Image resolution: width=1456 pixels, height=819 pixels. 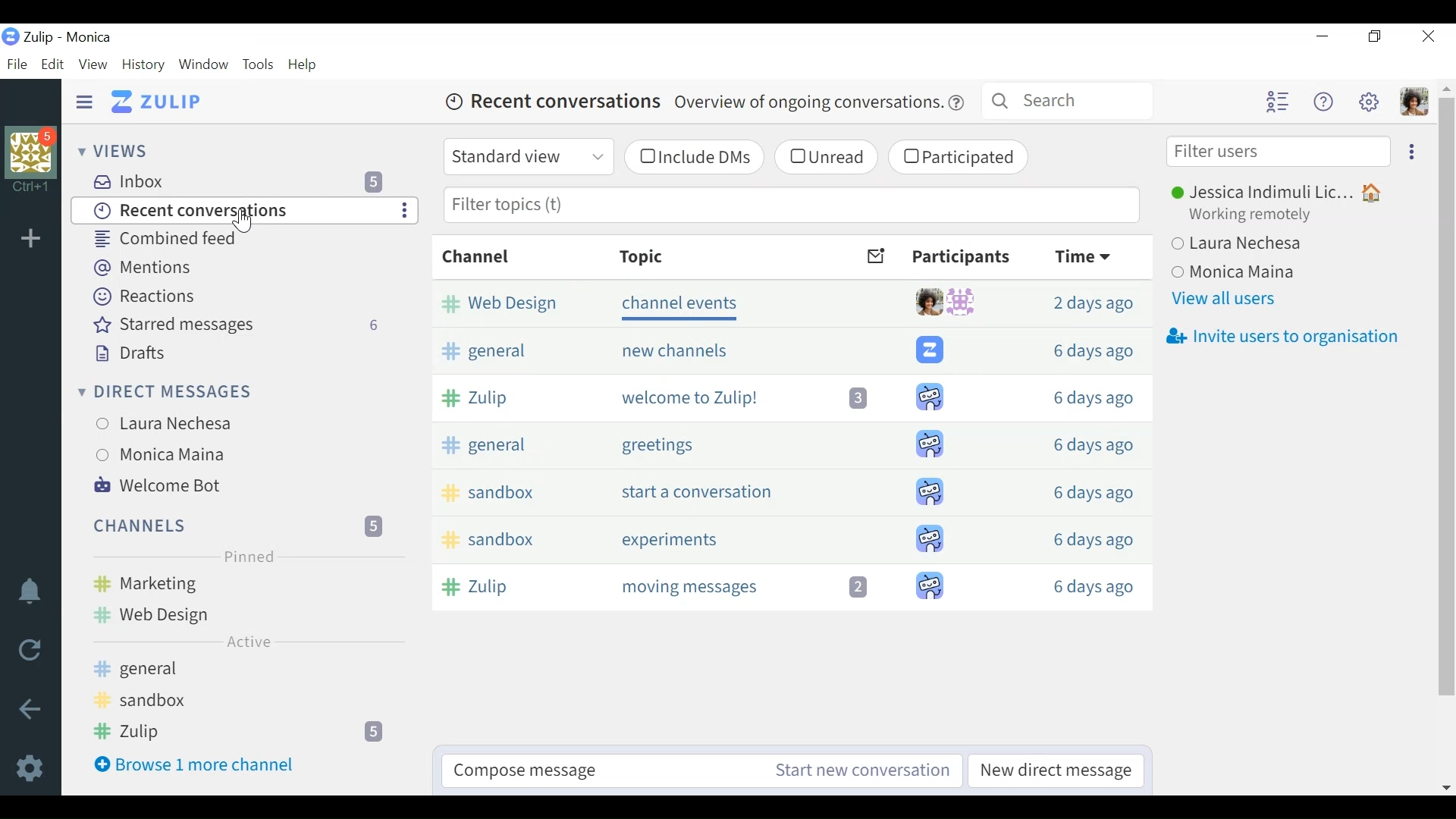 What do you see at coordinates (143, 269) in the screenshot?
I see `Mentions` at bounding box center [143, 269].